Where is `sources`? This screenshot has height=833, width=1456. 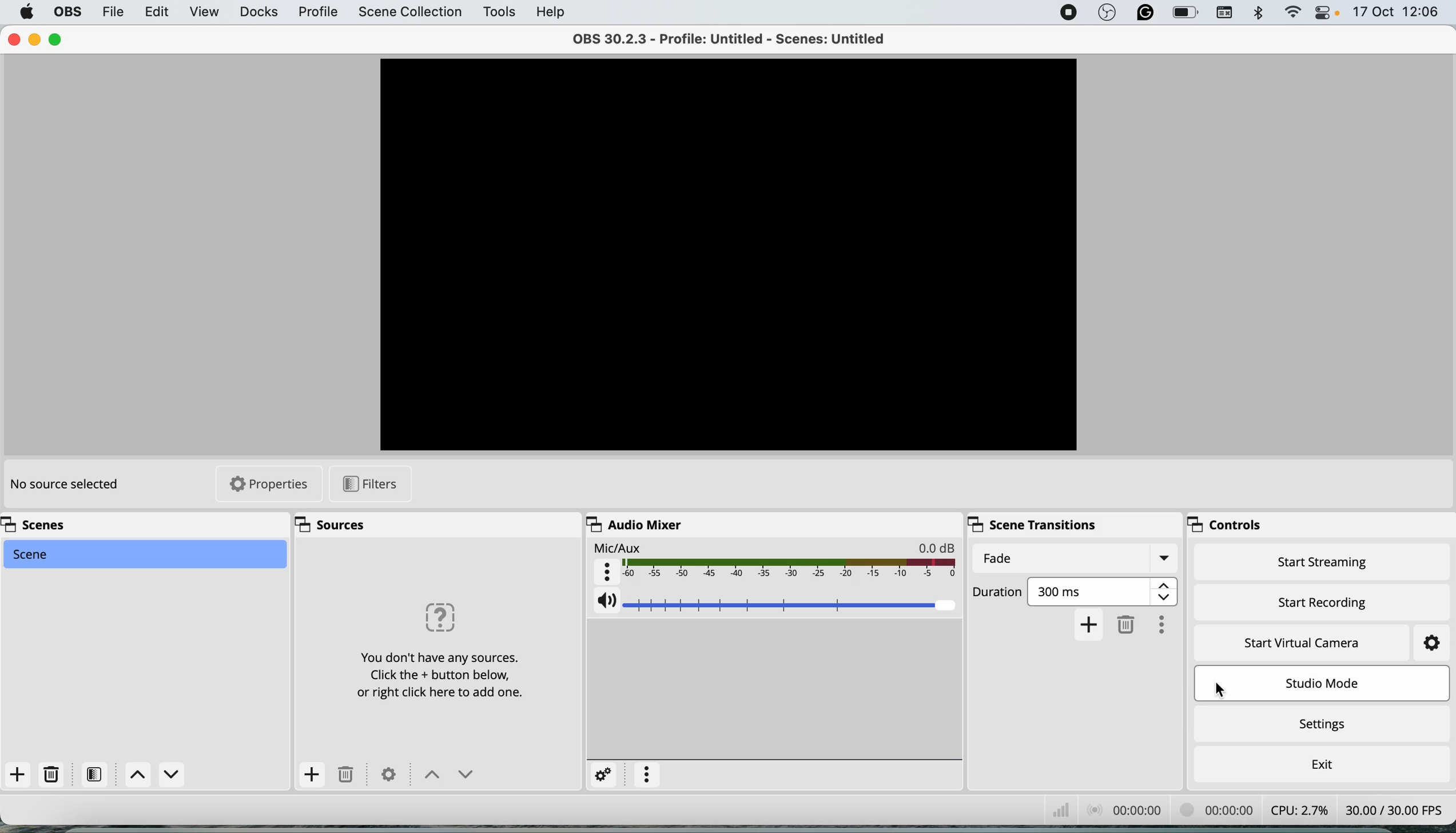
sources is located at coordinates (333, 523).